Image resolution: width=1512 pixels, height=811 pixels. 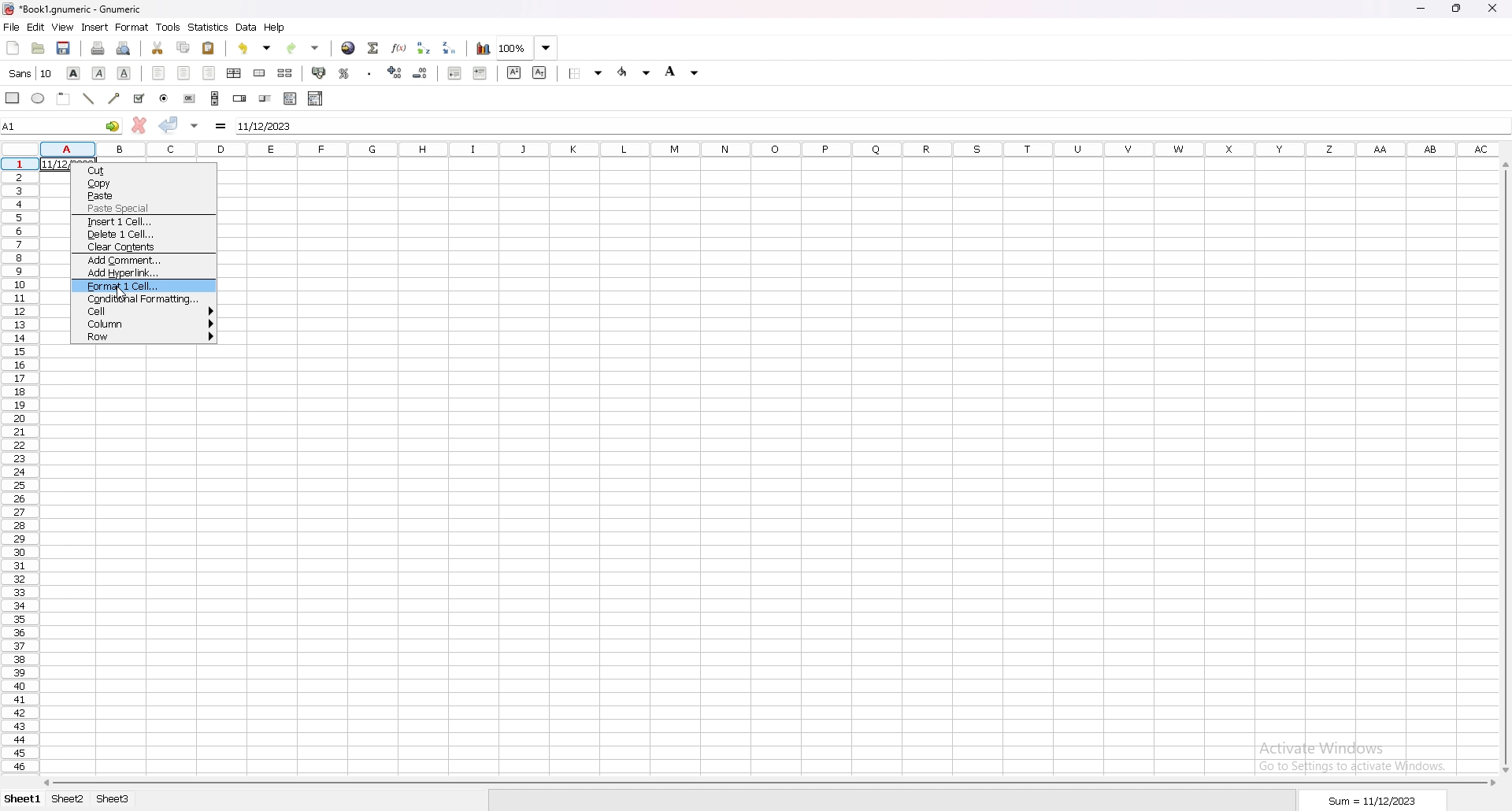 I want to click on arrowed line, so click(x=116, y=98).